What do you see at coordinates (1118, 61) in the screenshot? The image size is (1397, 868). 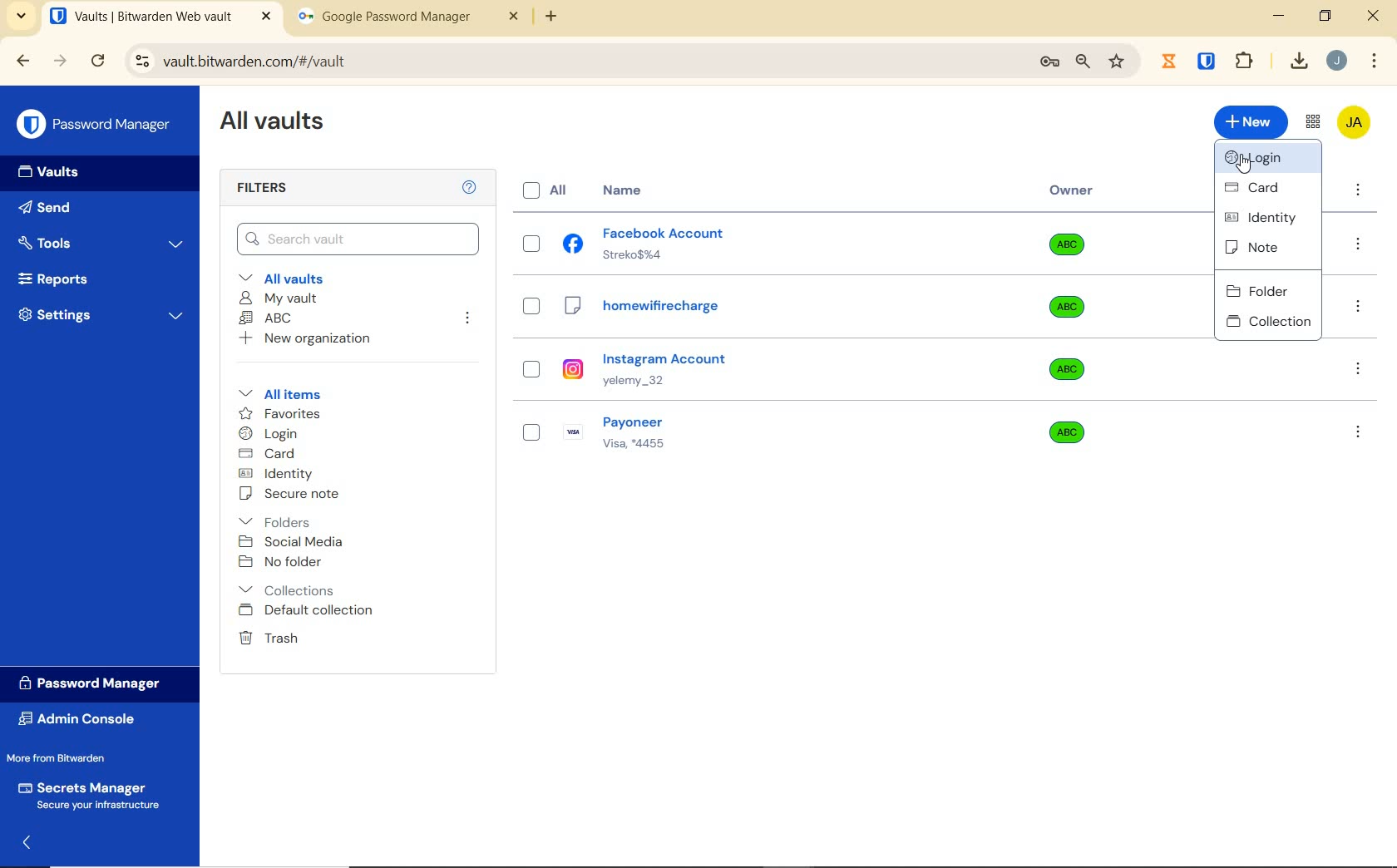 I see `bookmark` at bounding box center [1118, 61].